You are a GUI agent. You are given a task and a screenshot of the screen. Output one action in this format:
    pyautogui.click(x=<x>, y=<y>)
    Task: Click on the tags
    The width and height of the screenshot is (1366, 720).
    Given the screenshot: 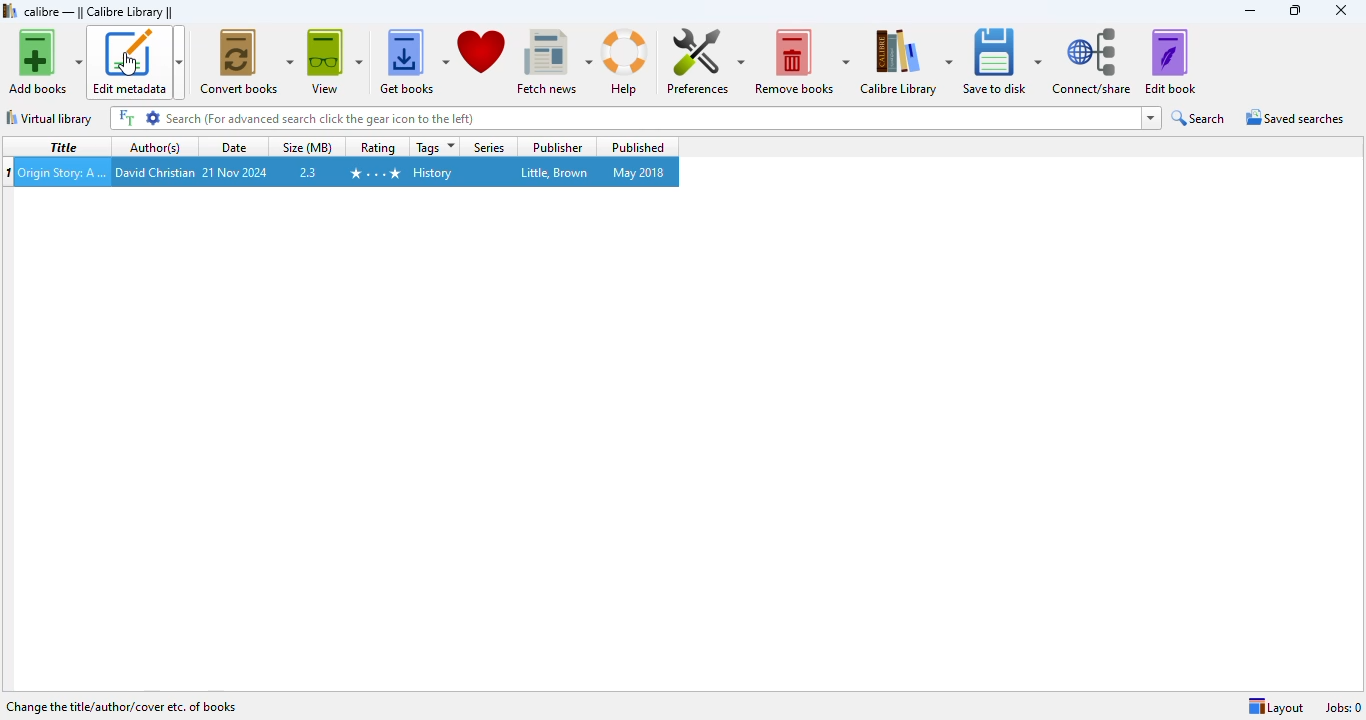 What is the action you would take?
    pyautogui.click(x=436, y=147)
    